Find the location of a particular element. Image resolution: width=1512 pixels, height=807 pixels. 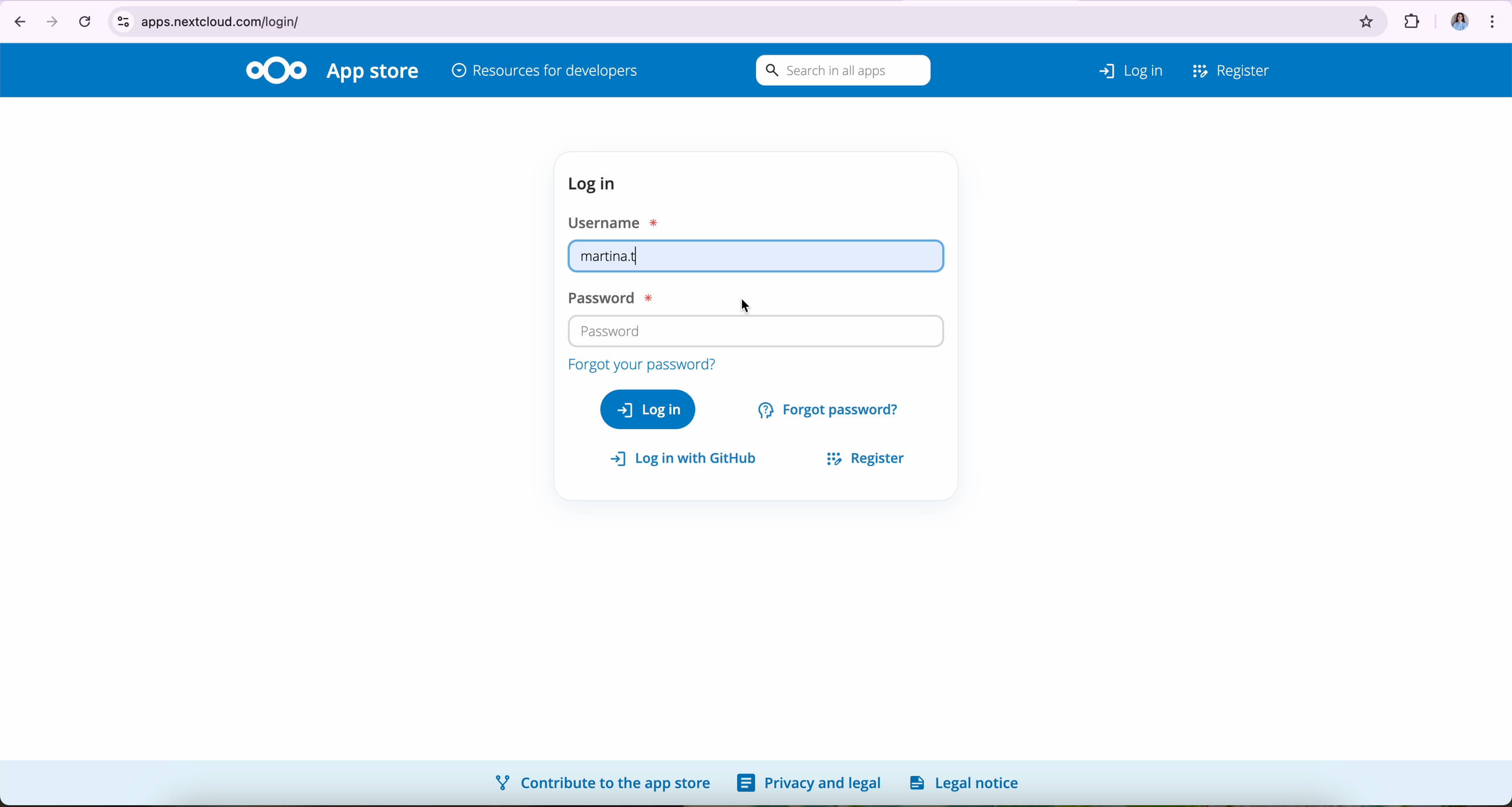

Nextcloud logo is located at coordinates (276, 69).